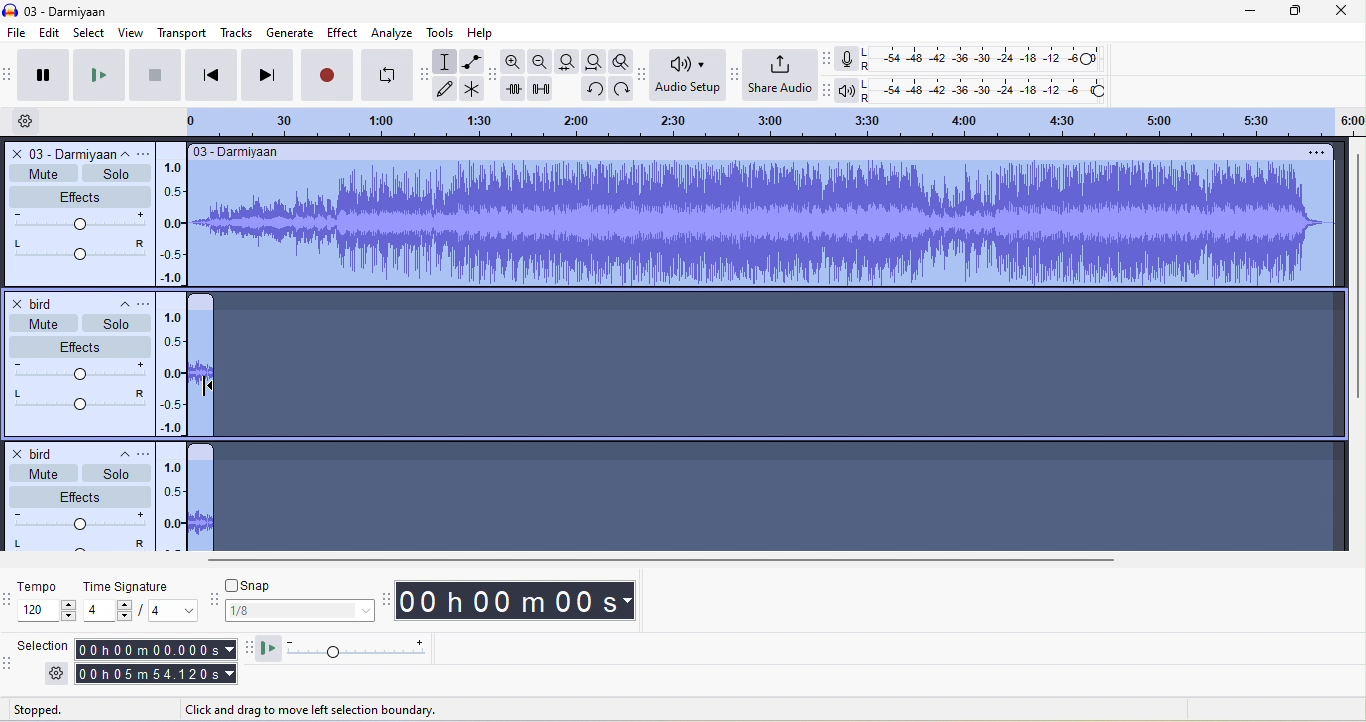  What do you see at coordinates (9, 668) in the screenshot?
I see `audacity selection toolbar` at bounding box center [9, 668].